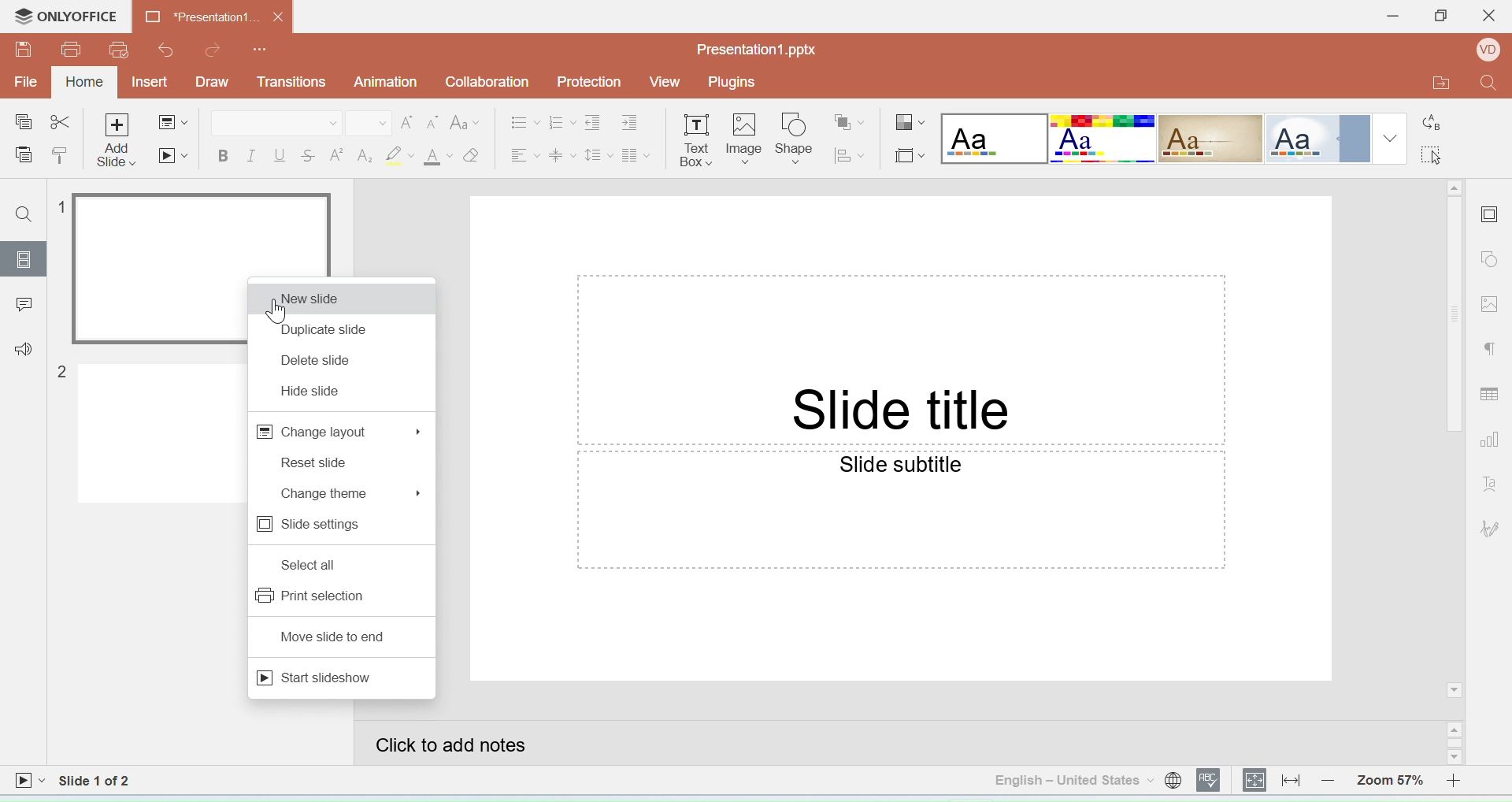 The width and height of the screenshot is (1512, 802). What do you see at coordinates (346, 494) in the screenshot?
I see `change theme` at bounding box center [346, 494].